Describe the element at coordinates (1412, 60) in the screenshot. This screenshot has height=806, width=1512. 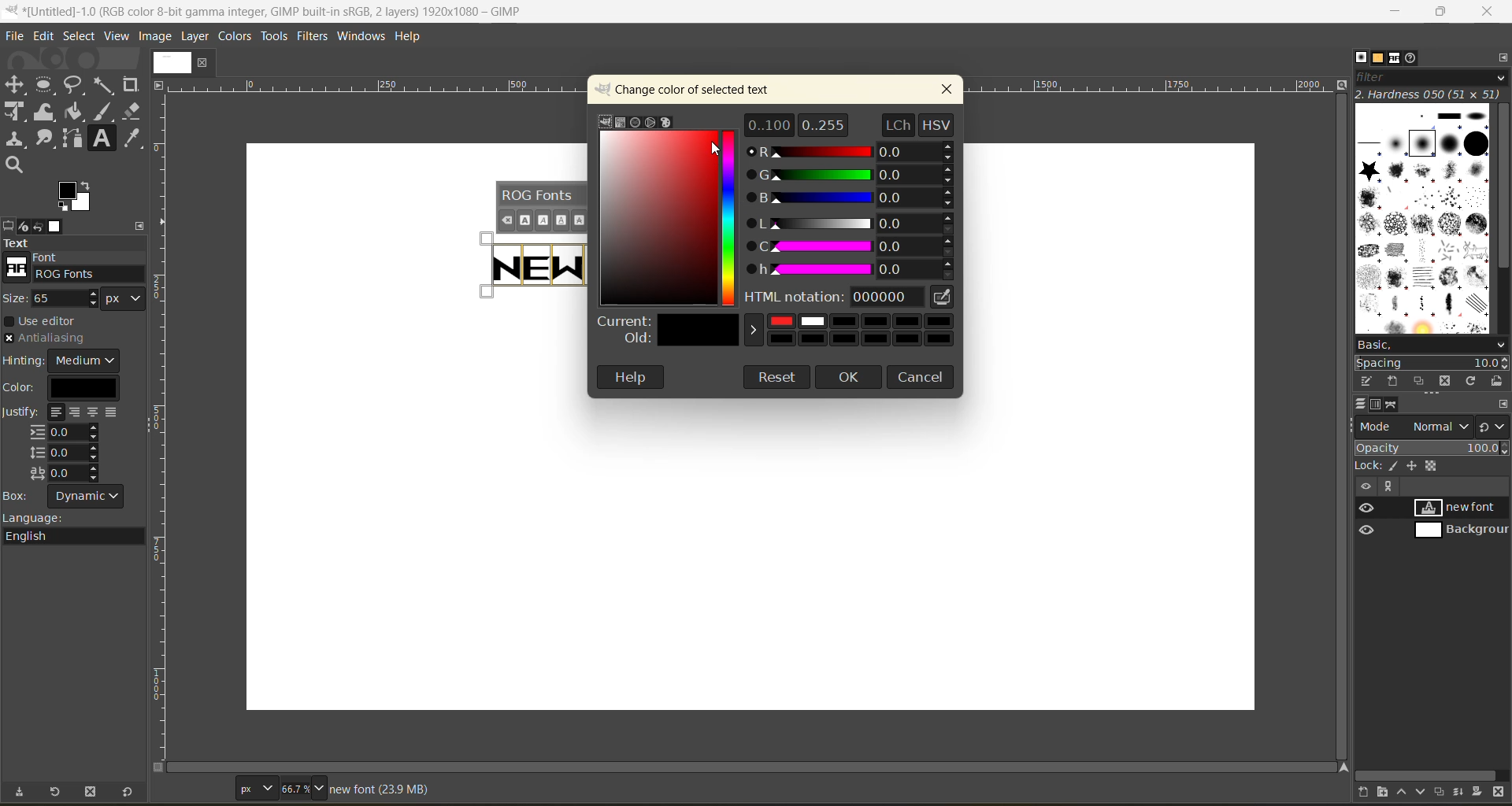
I see `document history` at that location.